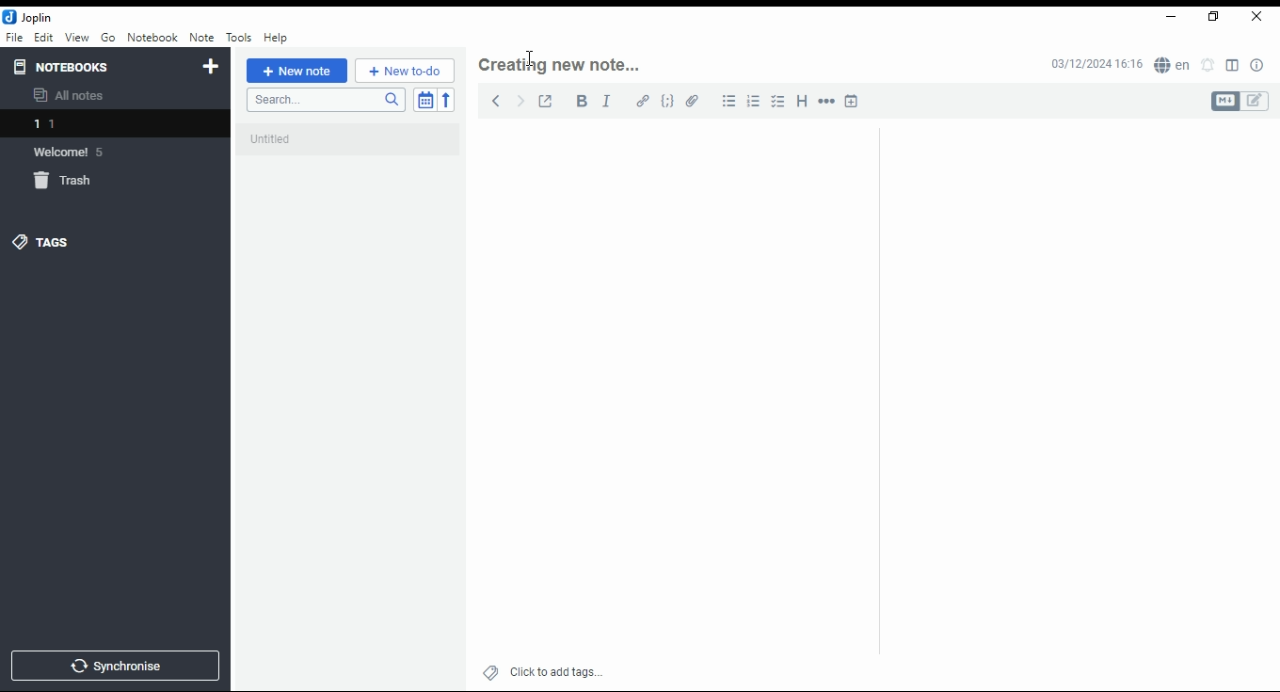  What do you see at coordinates (754, 100) in the screenshot?
I see `number list` at bounding box center [754, 100].